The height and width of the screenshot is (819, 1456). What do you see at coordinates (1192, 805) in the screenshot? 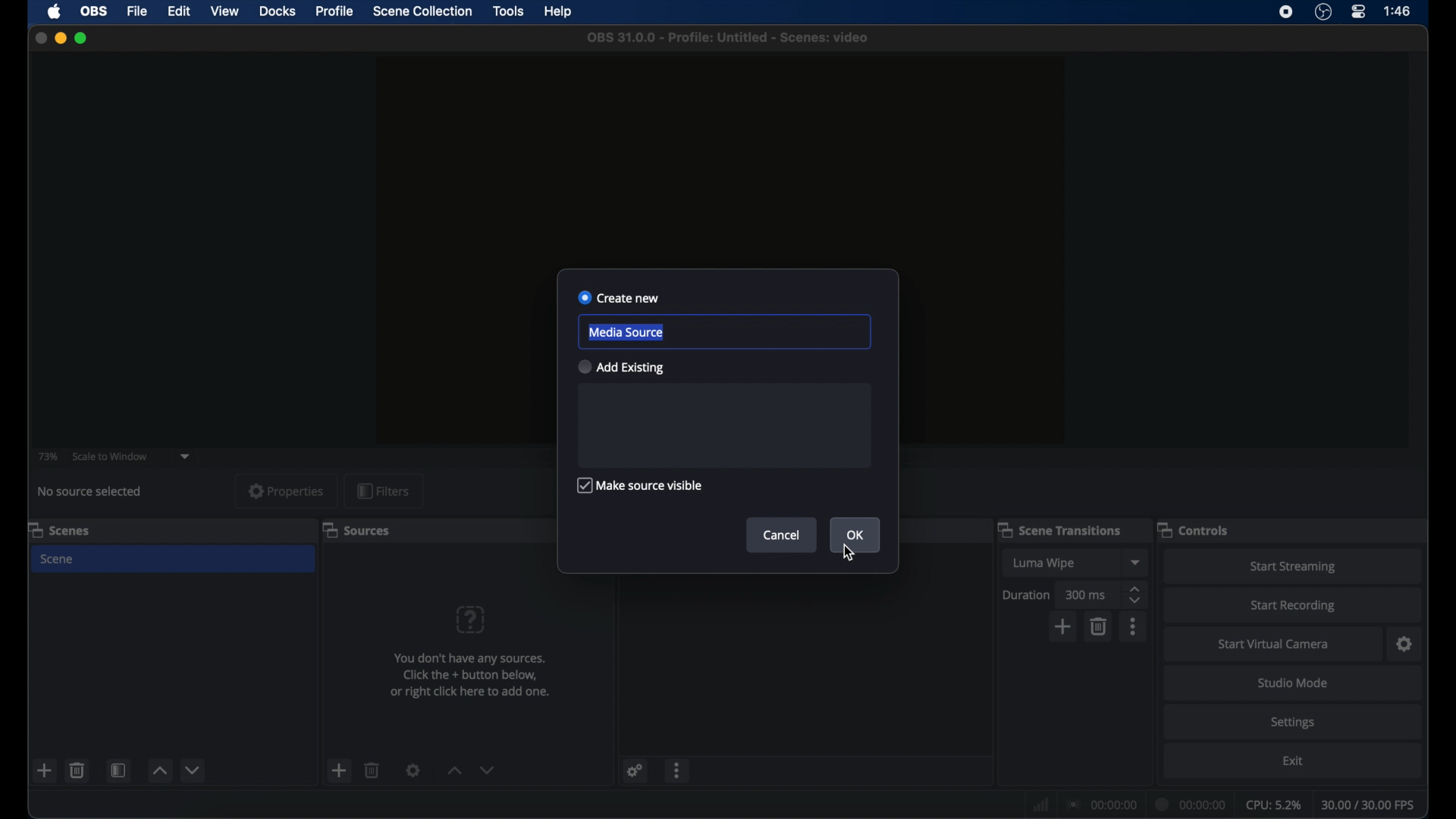
I see `duration` at bounding box center [1192, 805].